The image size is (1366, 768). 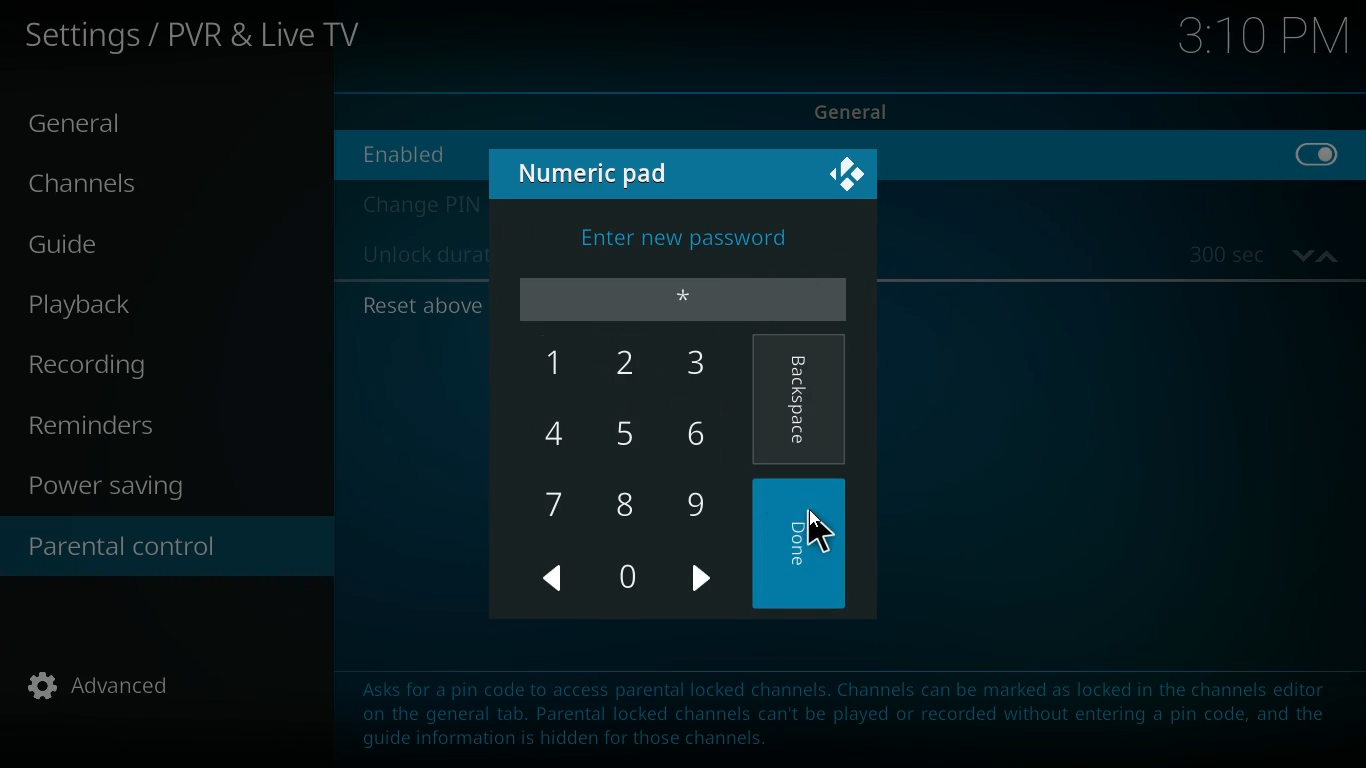 What do you see at coordinates (801, 545) in the screenshot?
I see `done` at bounding box center [801, 545].